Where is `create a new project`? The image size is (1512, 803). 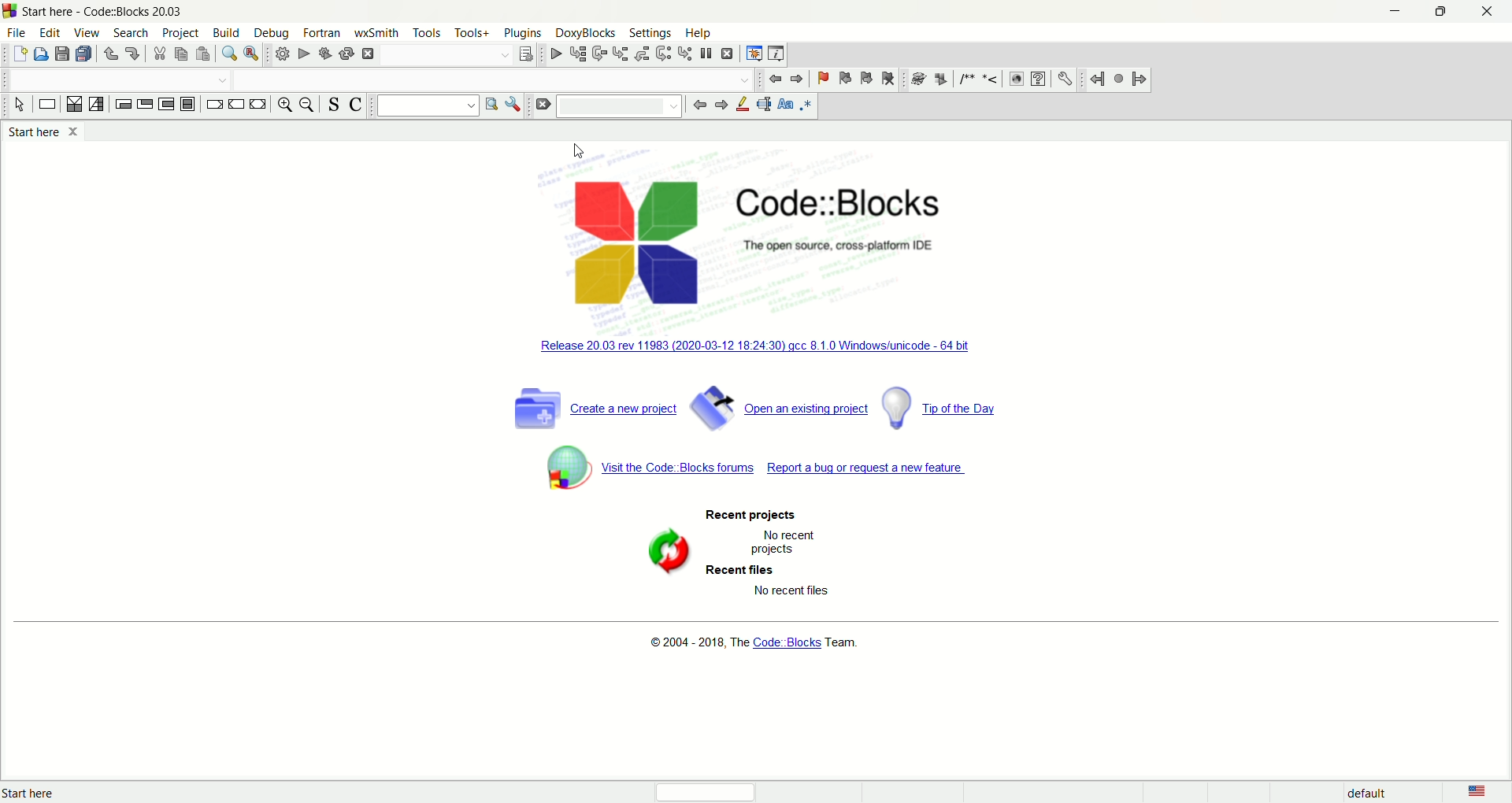 create a new project is located at coordinates (595, 409).